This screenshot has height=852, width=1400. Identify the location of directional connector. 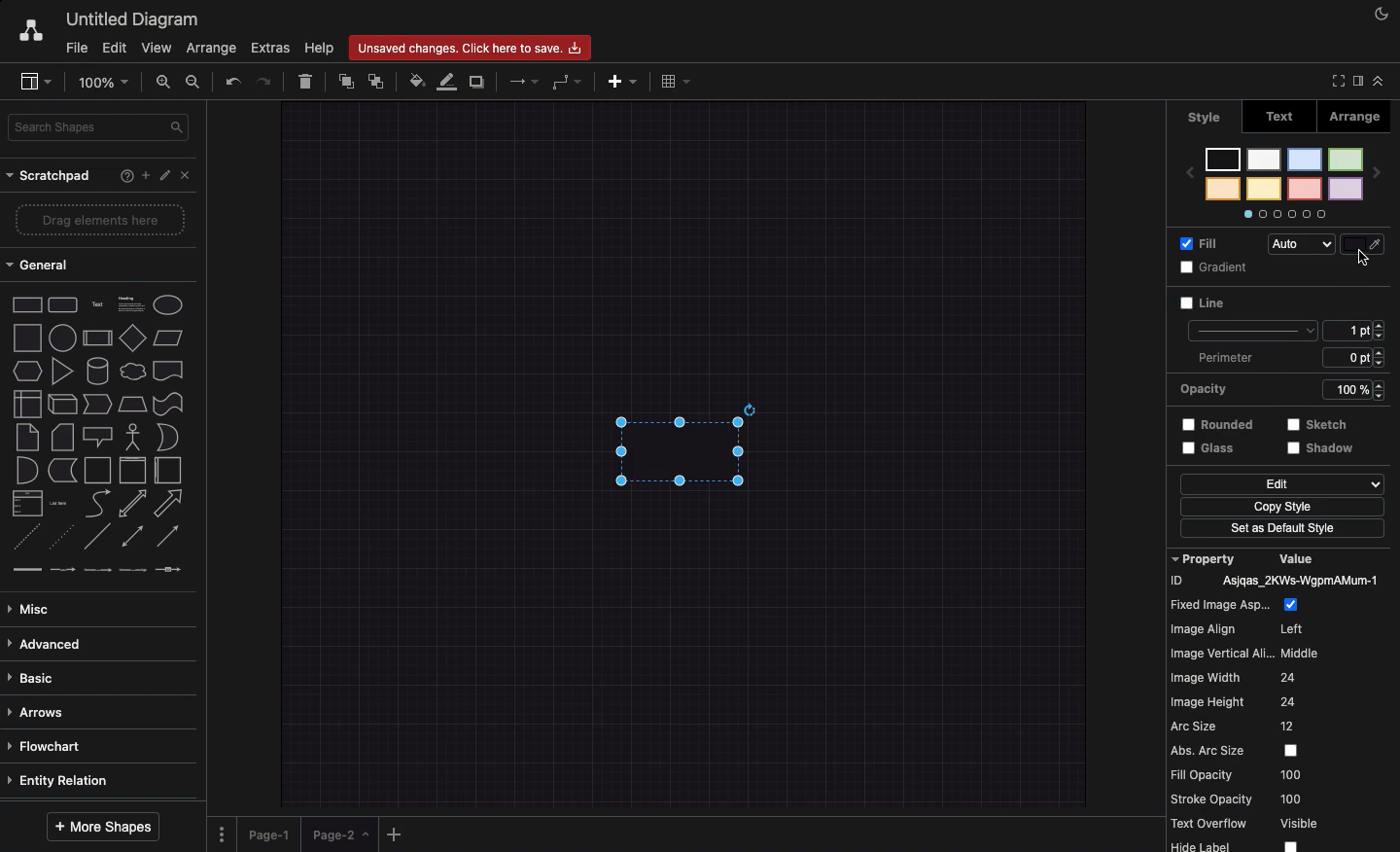
(170, 538).